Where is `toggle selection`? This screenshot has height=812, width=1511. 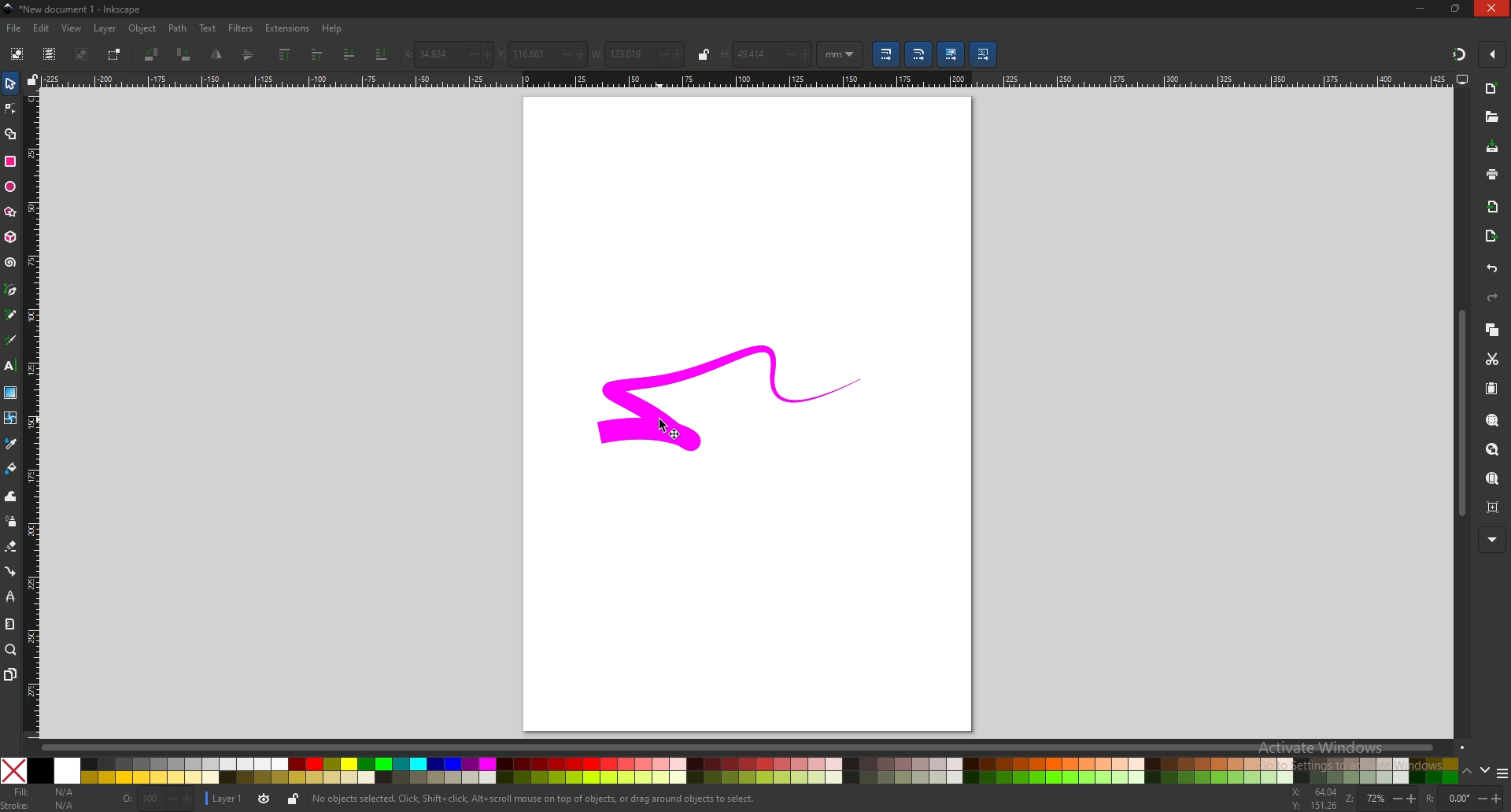
toggle selection is located at coordinates (116, 54).